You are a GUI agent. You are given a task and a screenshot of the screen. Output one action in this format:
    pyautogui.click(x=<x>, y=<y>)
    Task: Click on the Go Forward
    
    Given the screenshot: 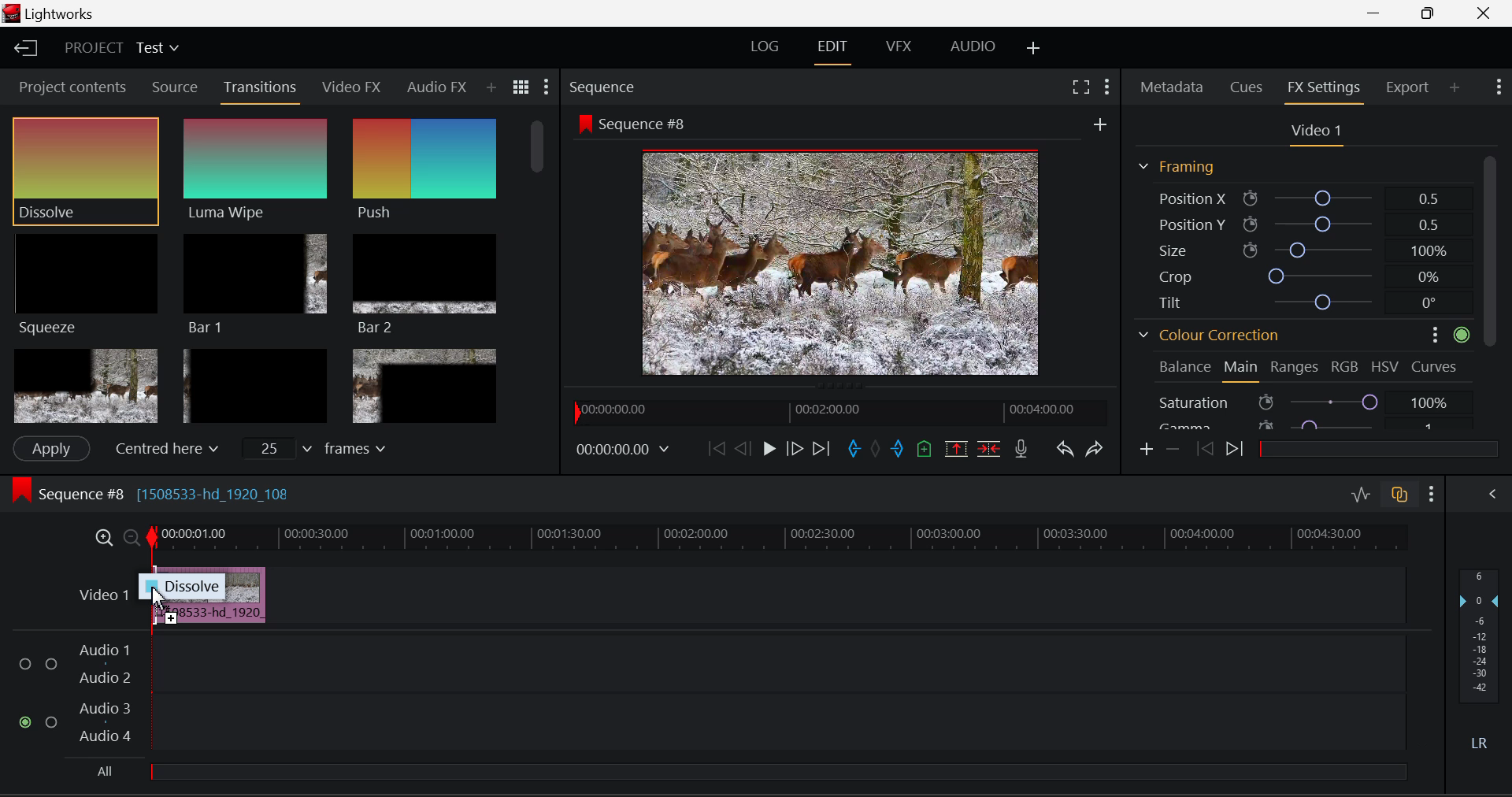 What is the action you would take?
    pyautogui.click(x=794, y=451)
    